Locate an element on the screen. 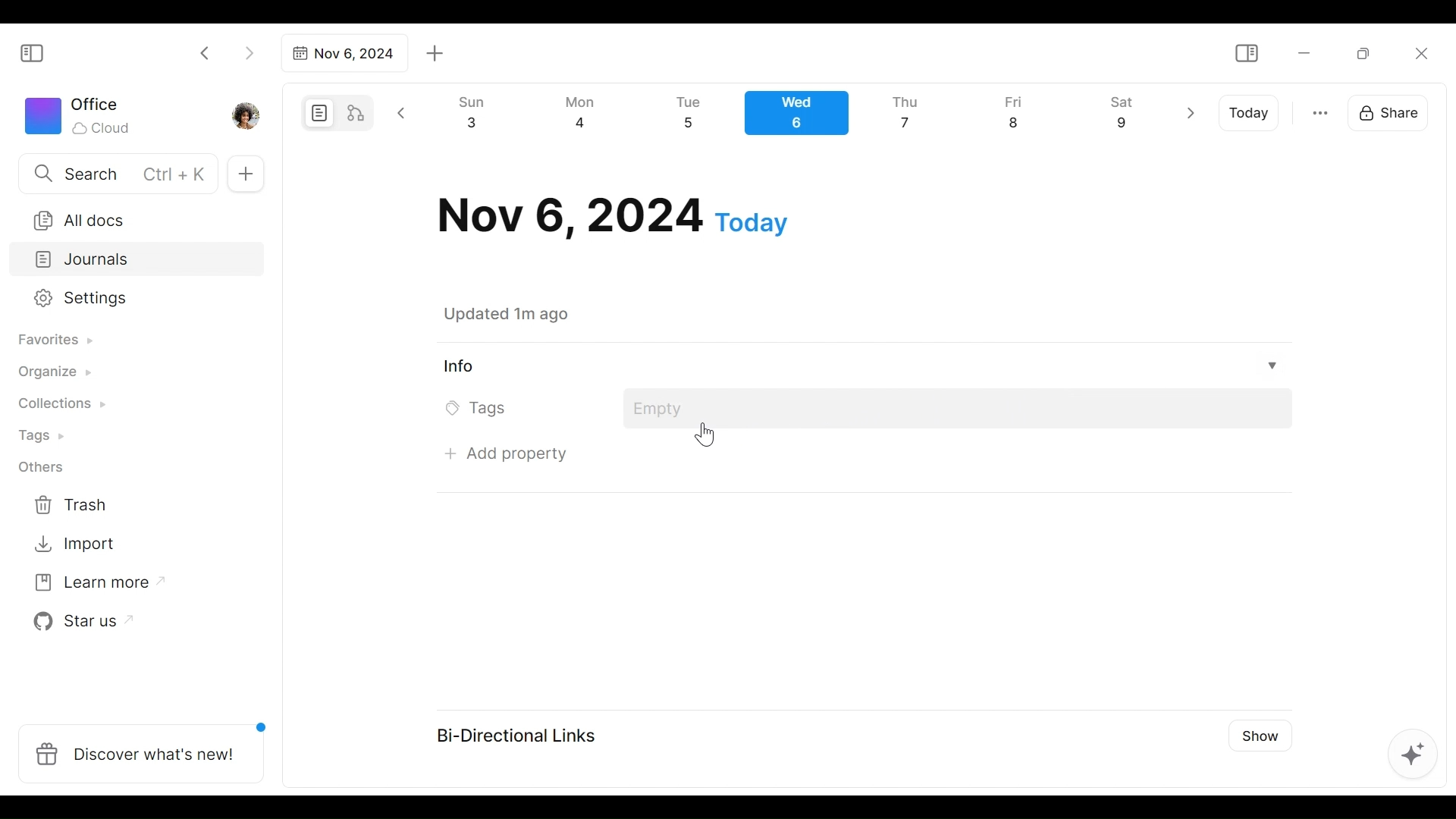  Share is located at coordinates (1393, 111).